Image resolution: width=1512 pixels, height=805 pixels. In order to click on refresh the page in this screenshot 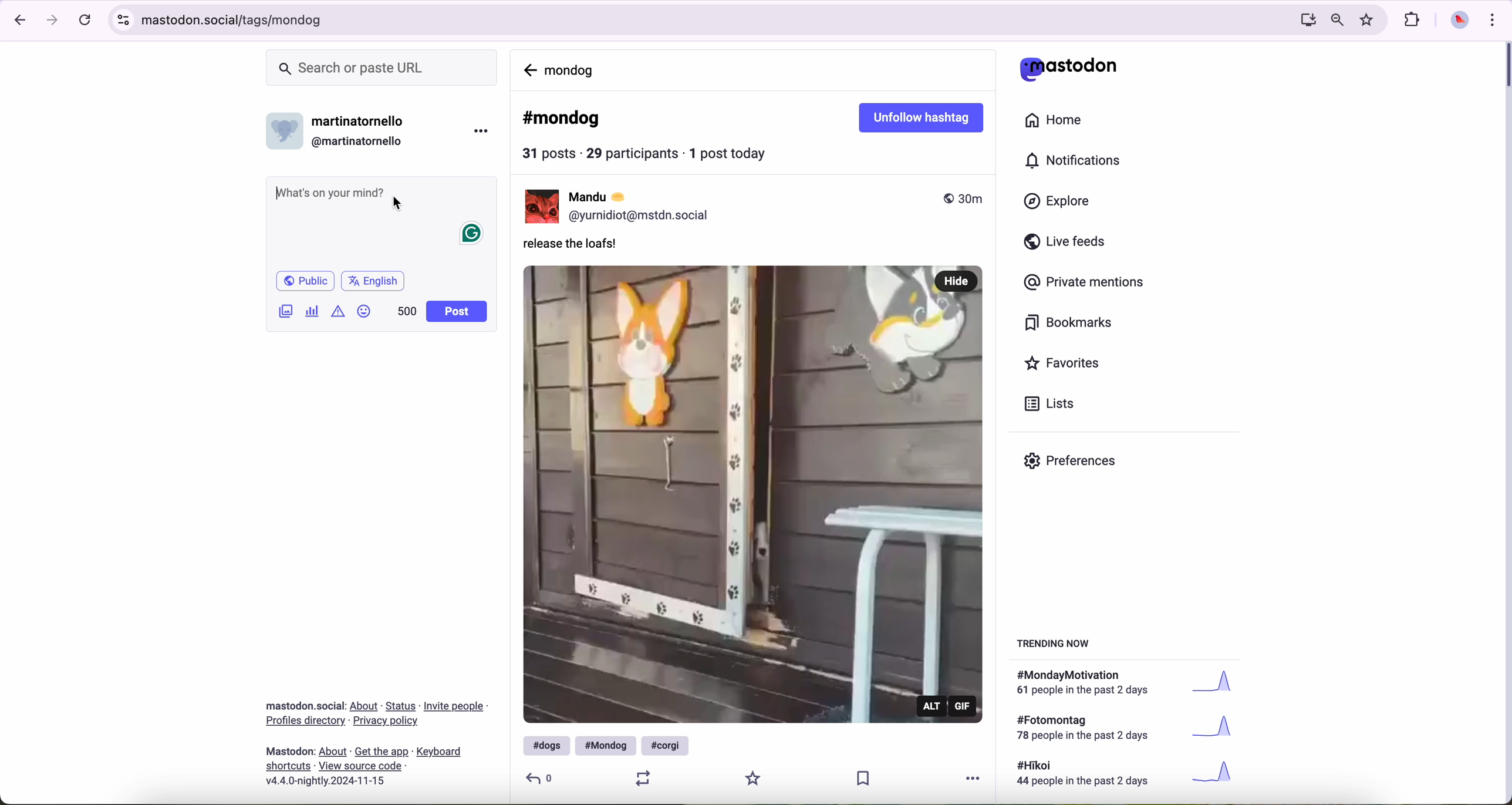, I will do `click(85, 21)`.